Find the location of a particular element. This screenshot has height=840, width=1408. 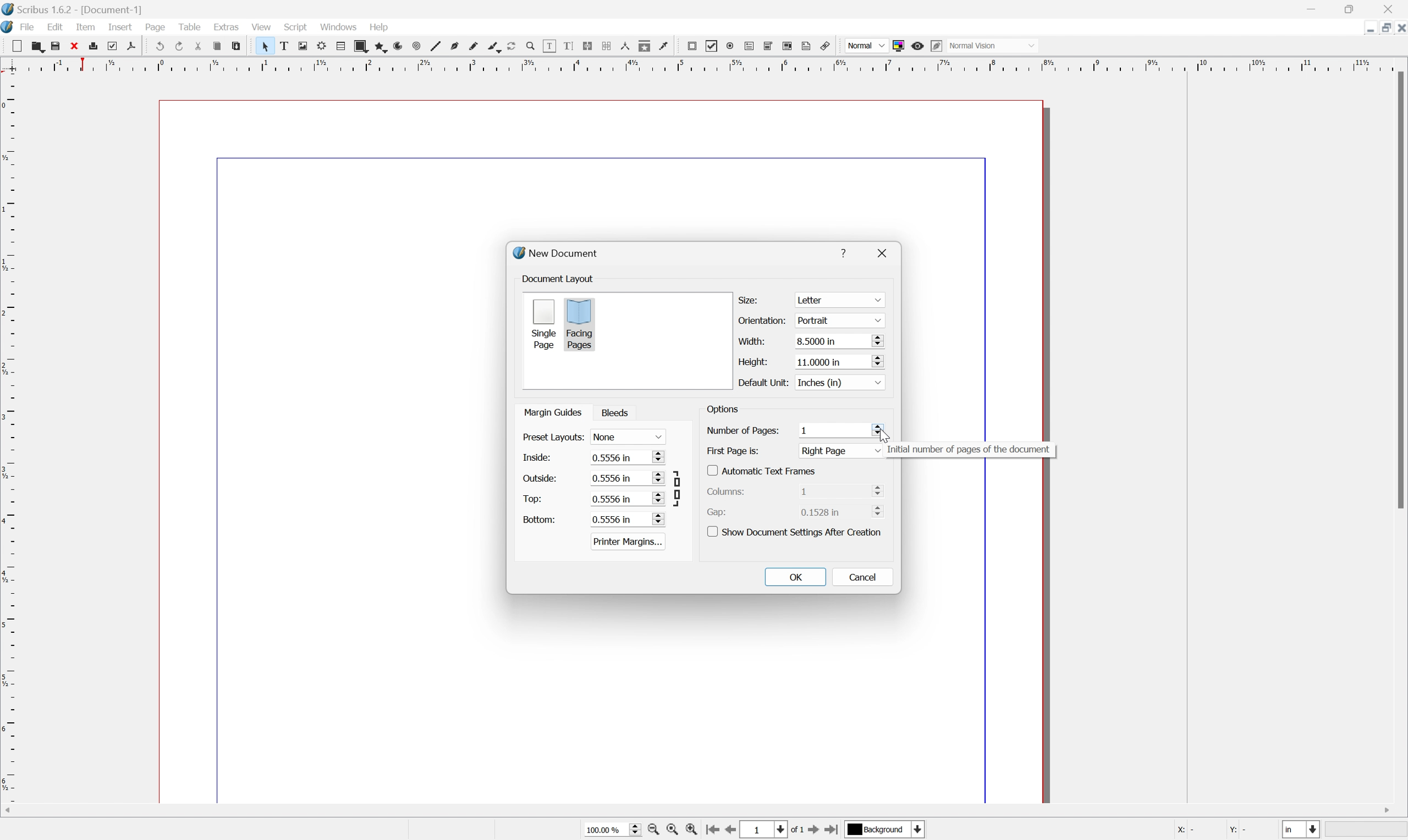

preset layout is located at coordinates (552, 438).